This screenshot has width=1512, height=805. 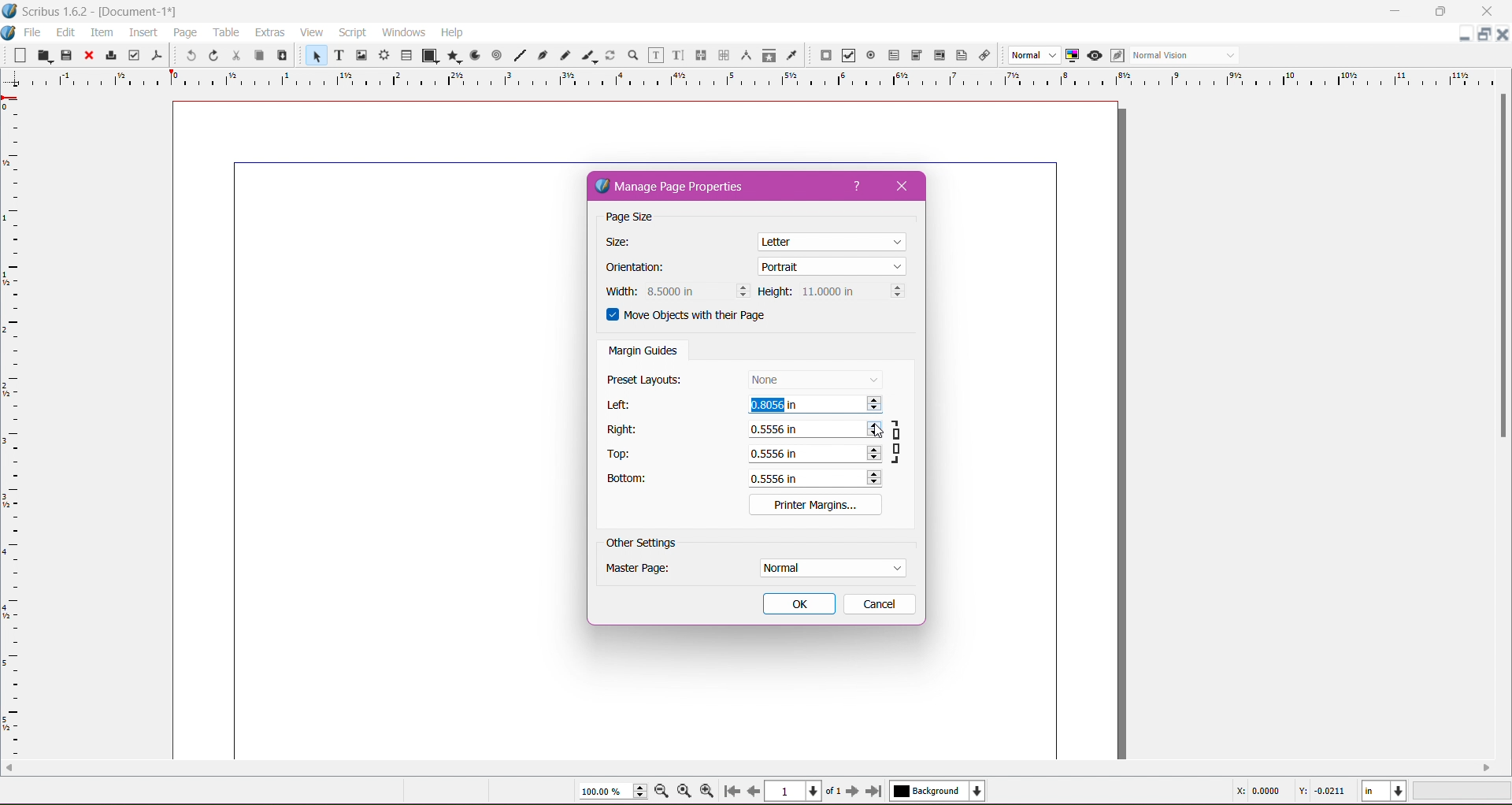 I want to click on Right, so click(x=624, y=429).